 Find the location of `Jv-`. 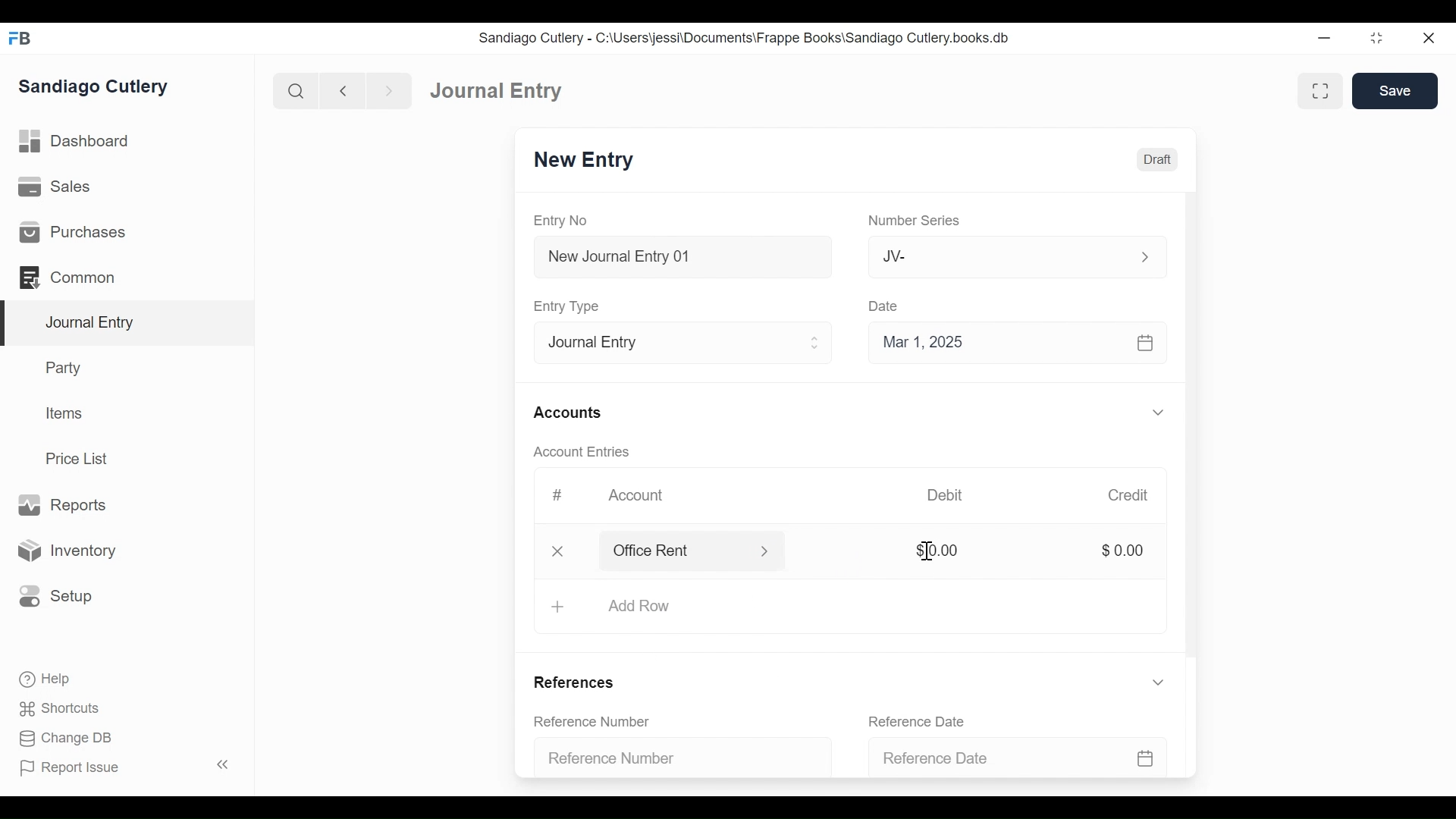

Jv- is located at coordinates (1007, 257).